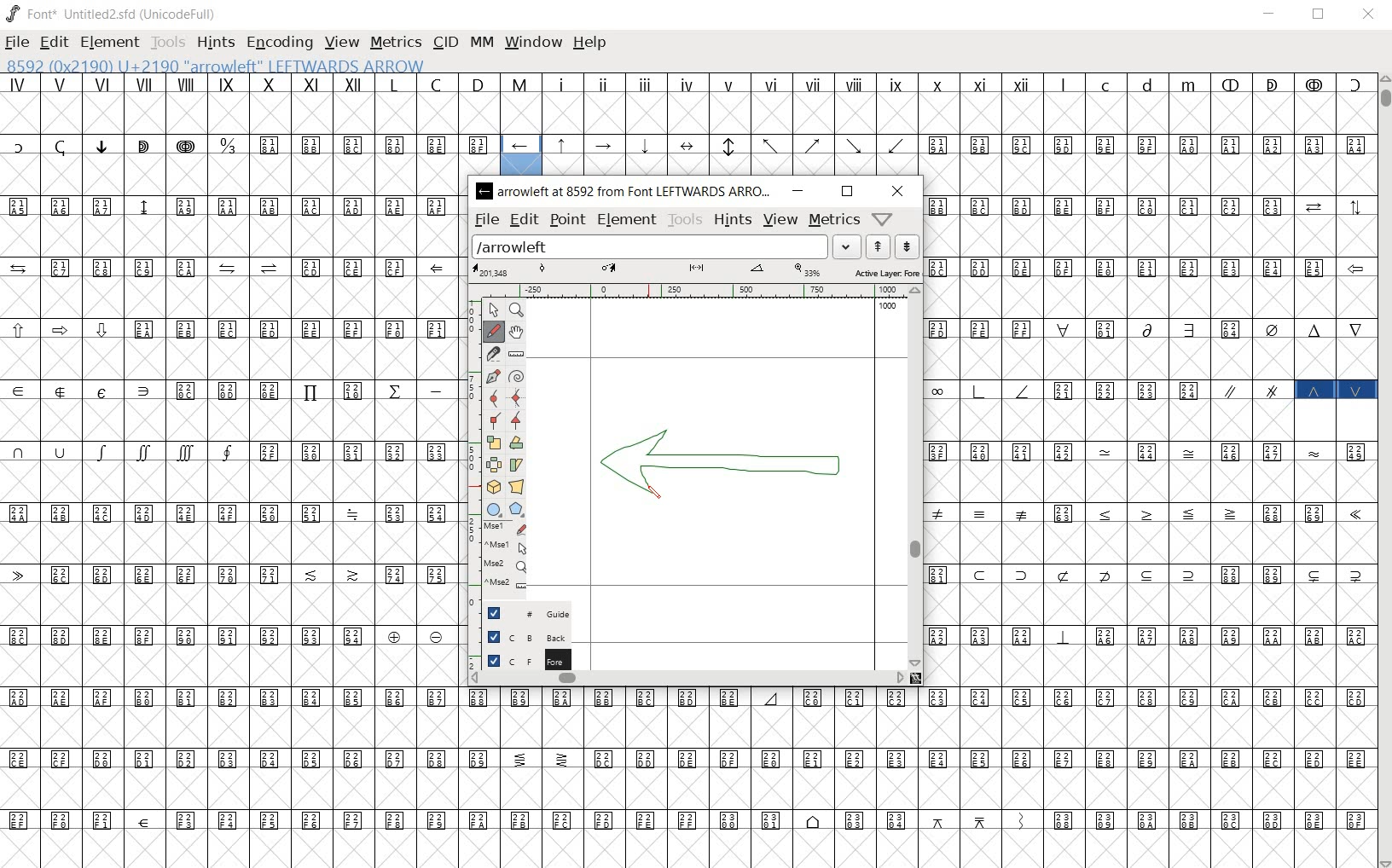 Image resolution: width=1392 pixels, height=868 pixels. What do you see at coordinates (486, 219) in the screenshot?
I see `file` at bounding box center [486, 219].